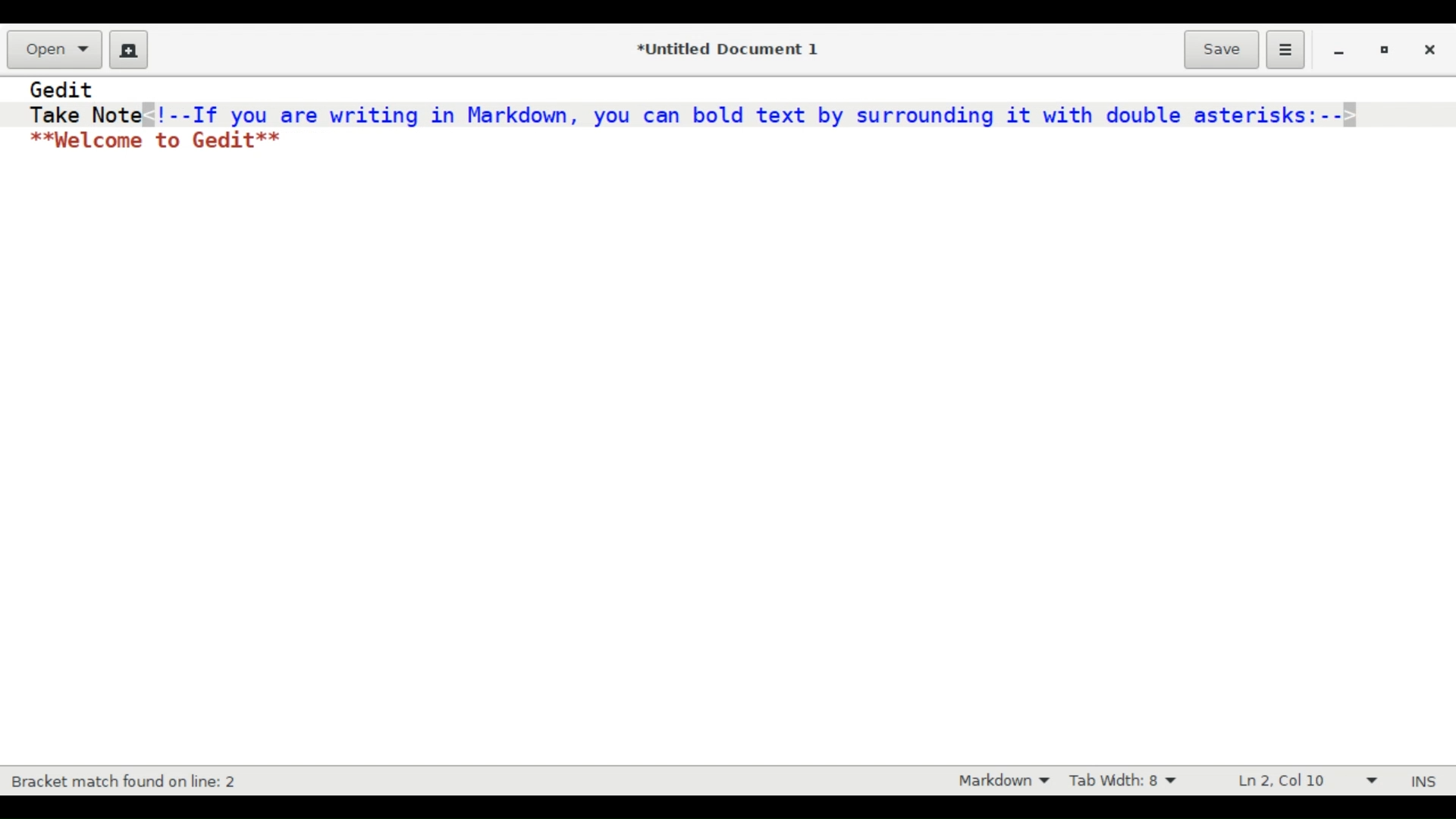  Describe the element at coordinates (1005, 782) in the screenshot. I see `Highlight mode dropdown menu` at that location.